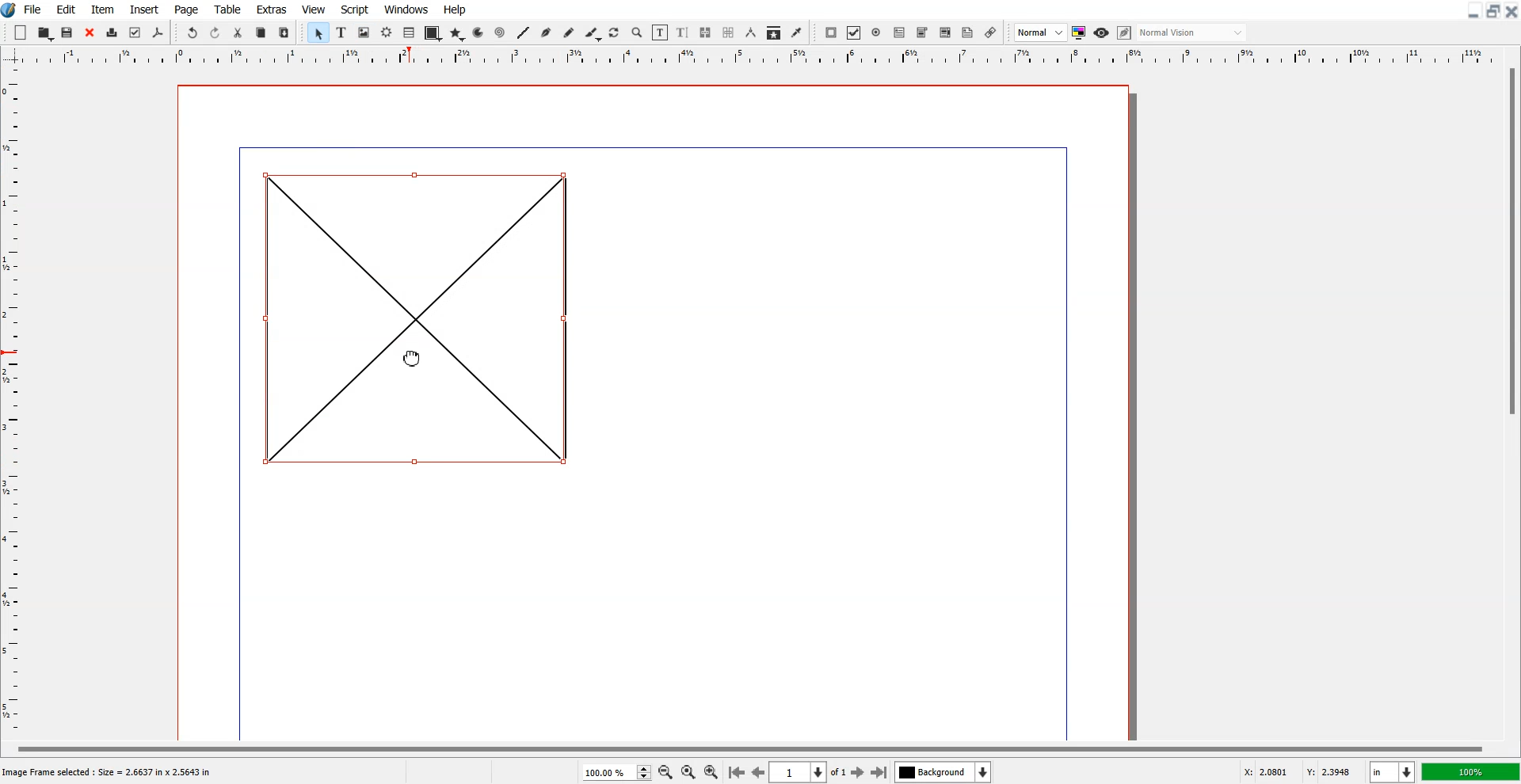  What do you see at coordinates (15, 403) in the screenshot?
I see `Horizontal Scale` at bounding box center [15, 403].